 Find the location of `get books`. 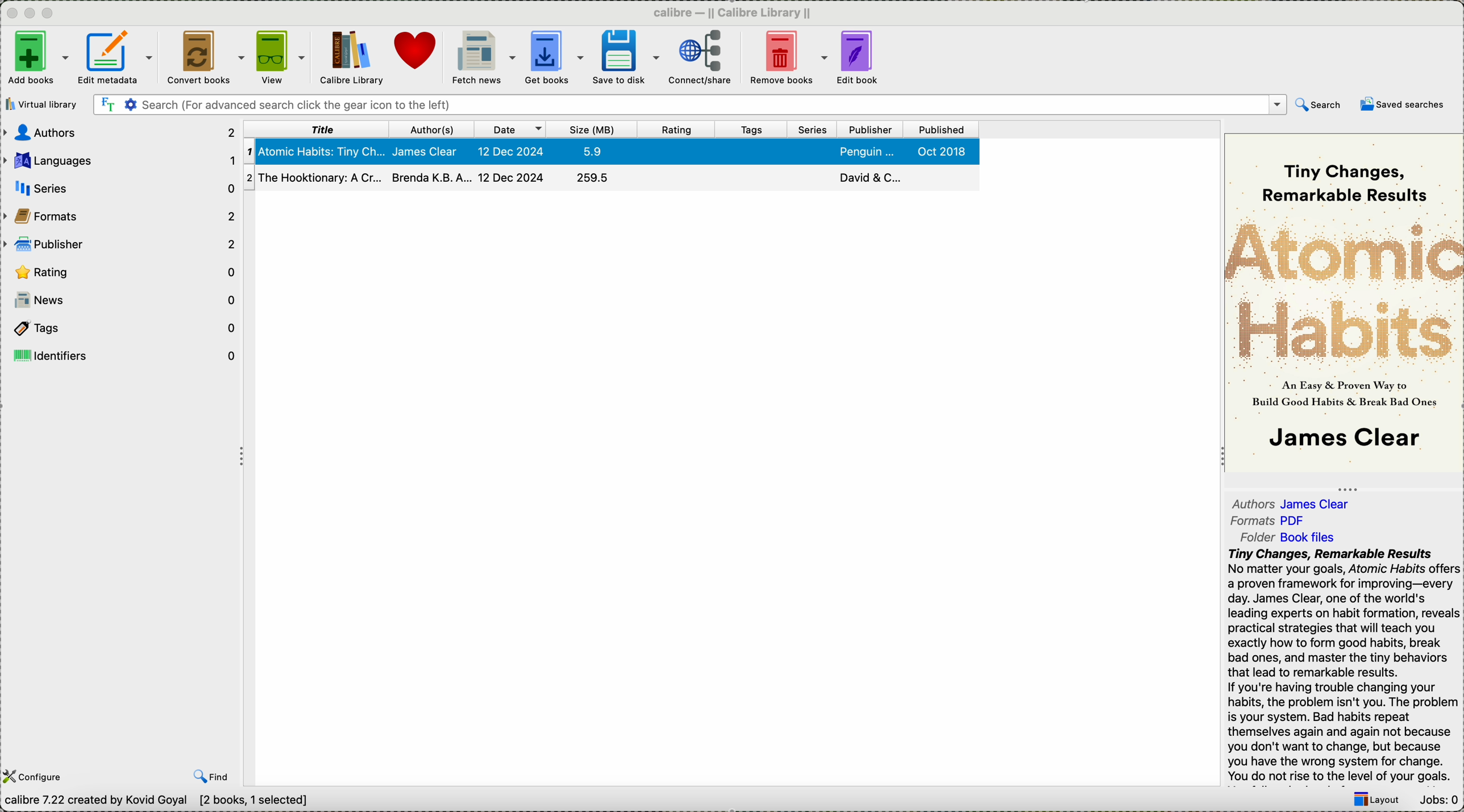

get books is located at coordinates (552, 57).